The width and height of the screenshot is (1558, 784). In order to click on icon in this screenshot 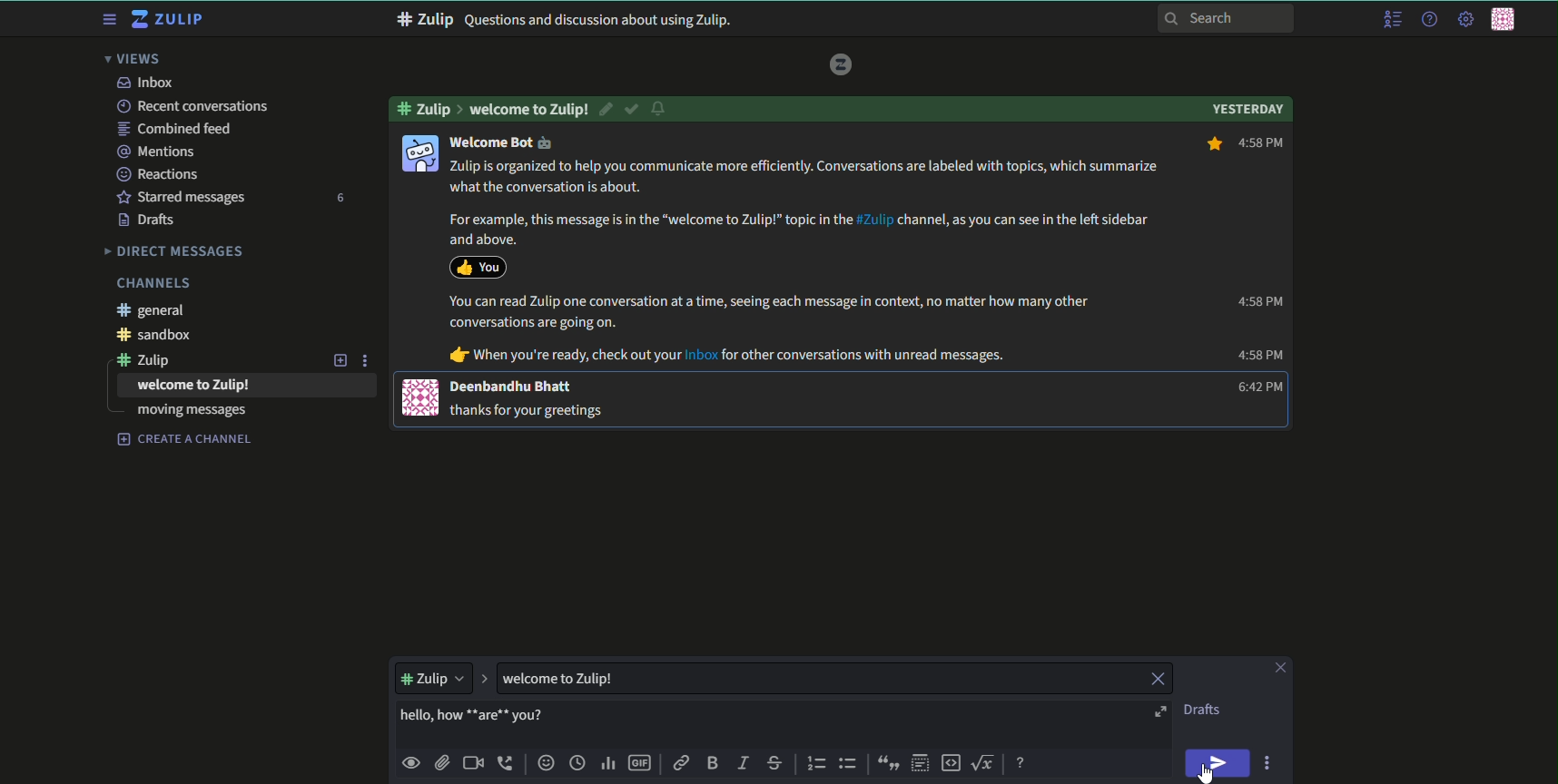, I will do `click(421, 152)`.